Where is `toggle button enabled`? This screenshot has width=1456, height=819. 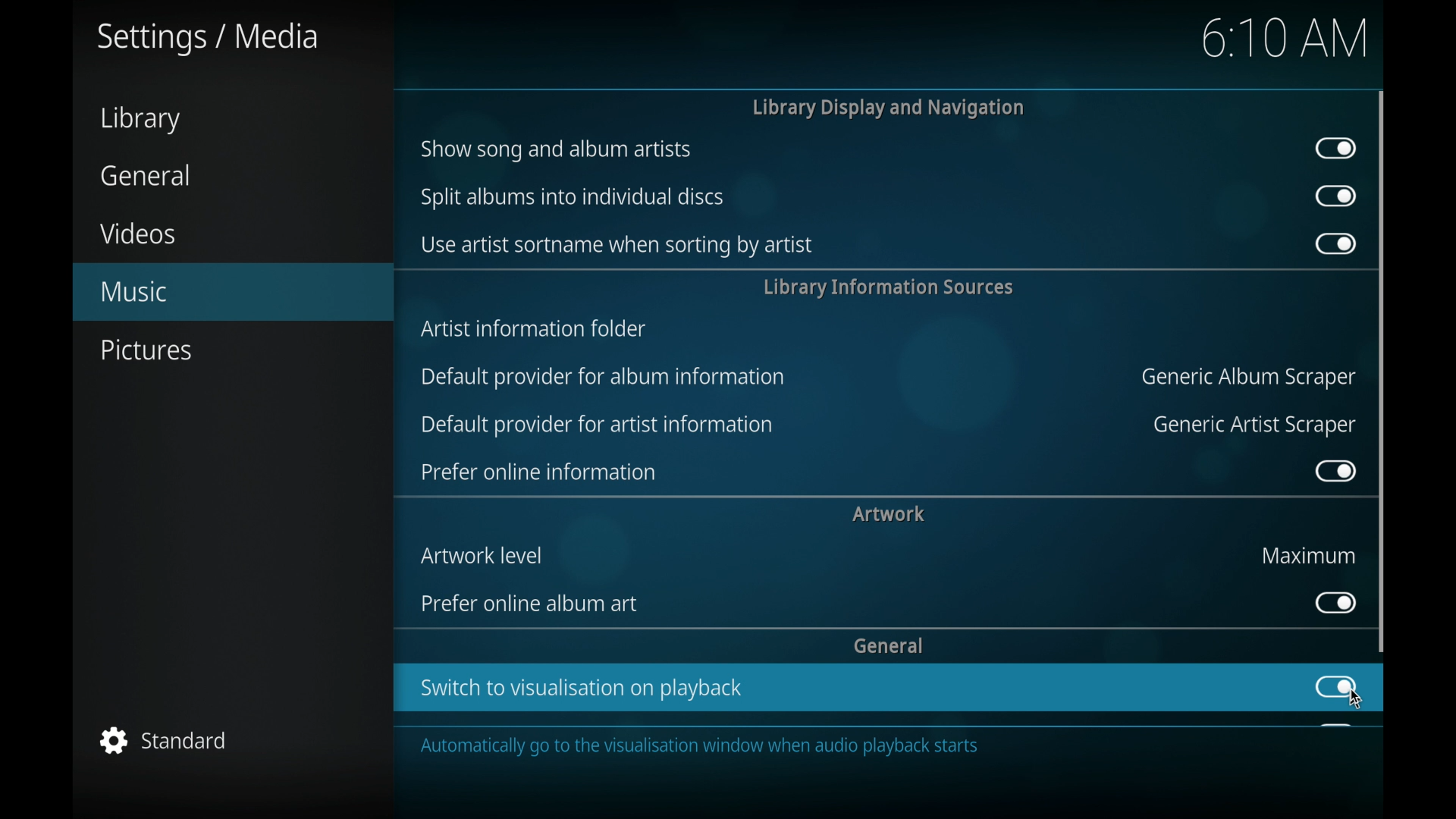 toggle button enabled is located at coordinates (1335, 687).